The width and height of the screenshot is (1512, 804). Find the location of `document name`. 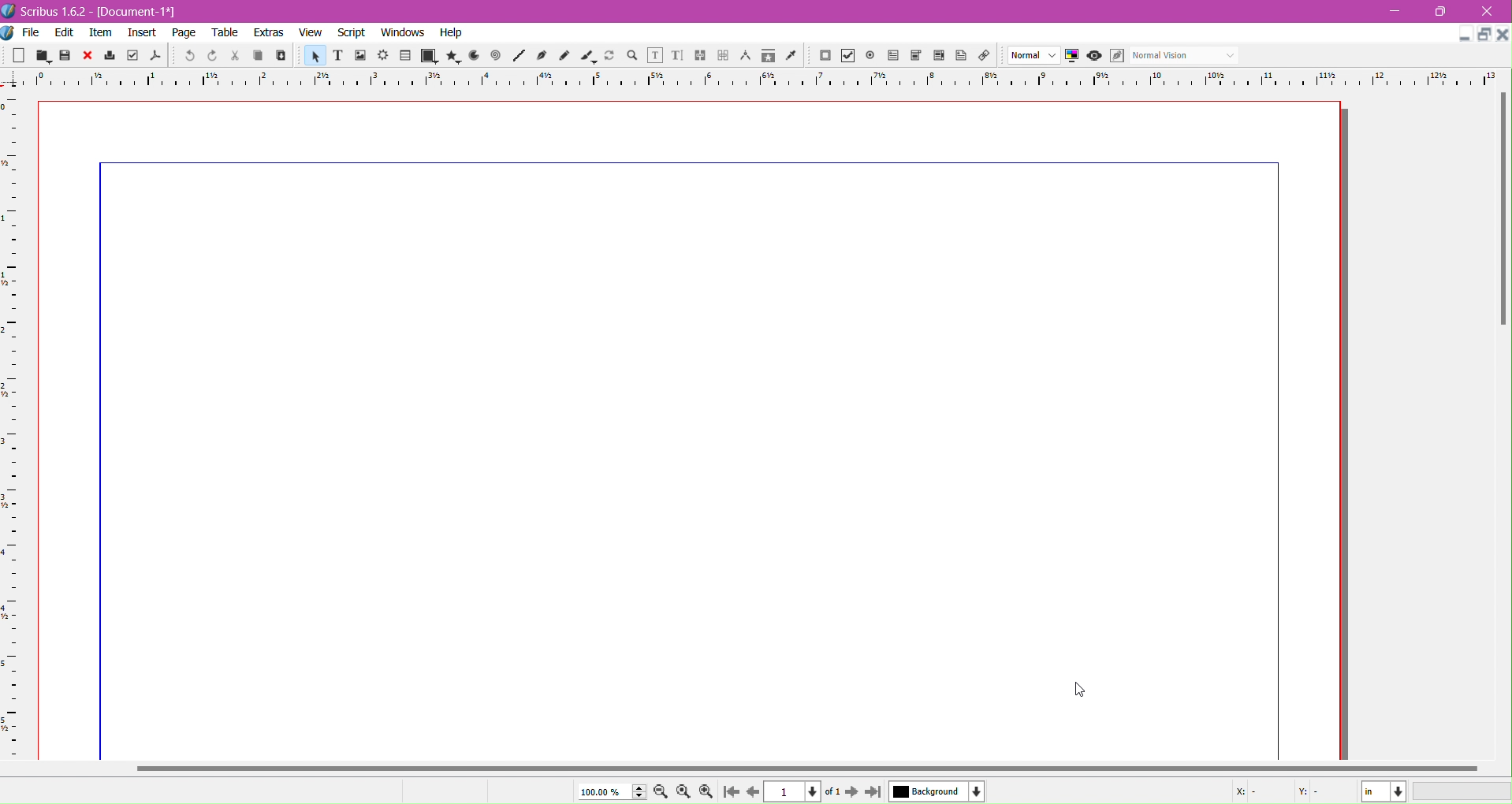

document name is located at coordinates (140, 13).